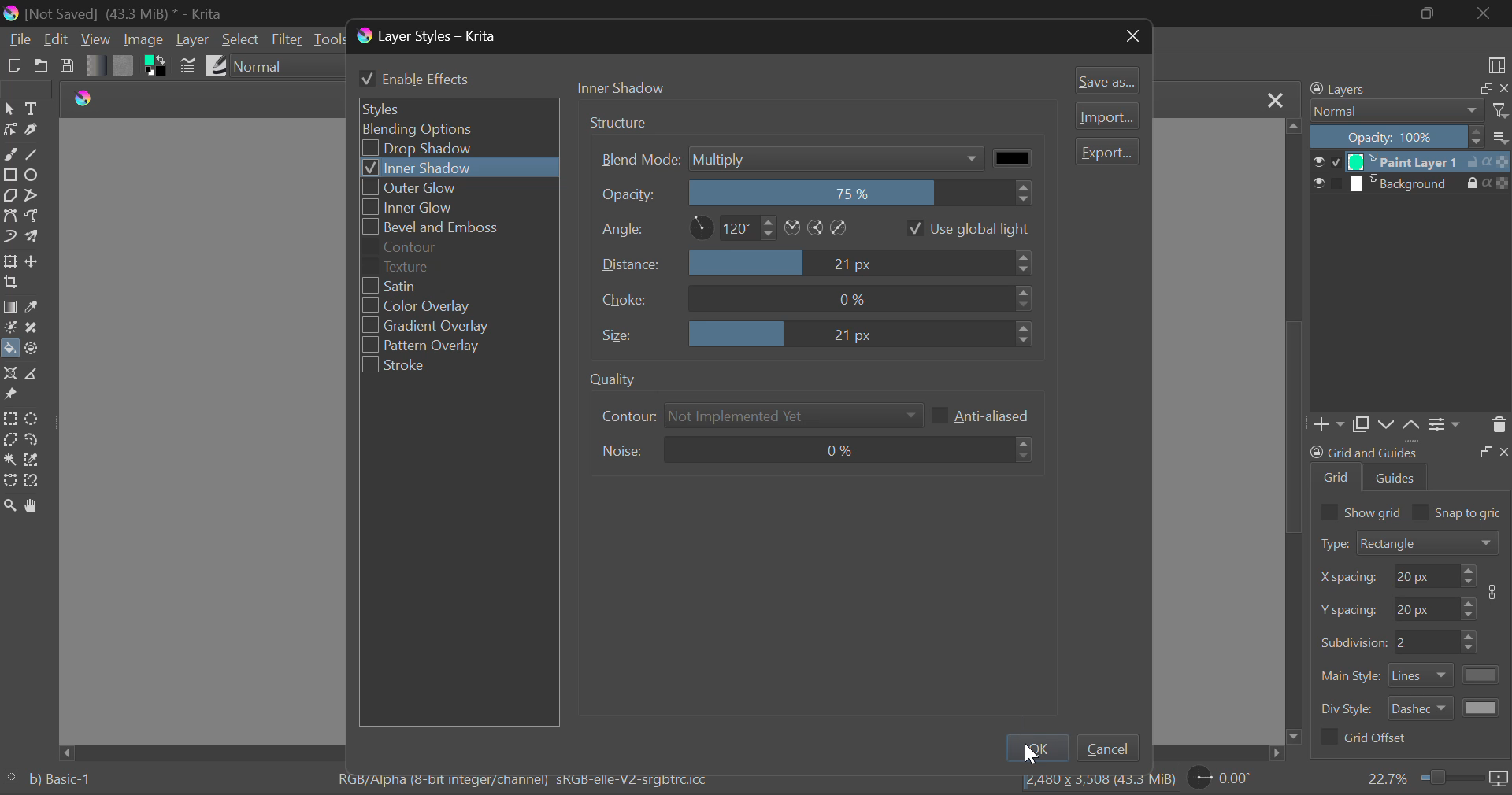  What do you see at coordinates (32, 328) in the screenshot?
I see `Smart Patch Tool` at bounding box center [32, 328].